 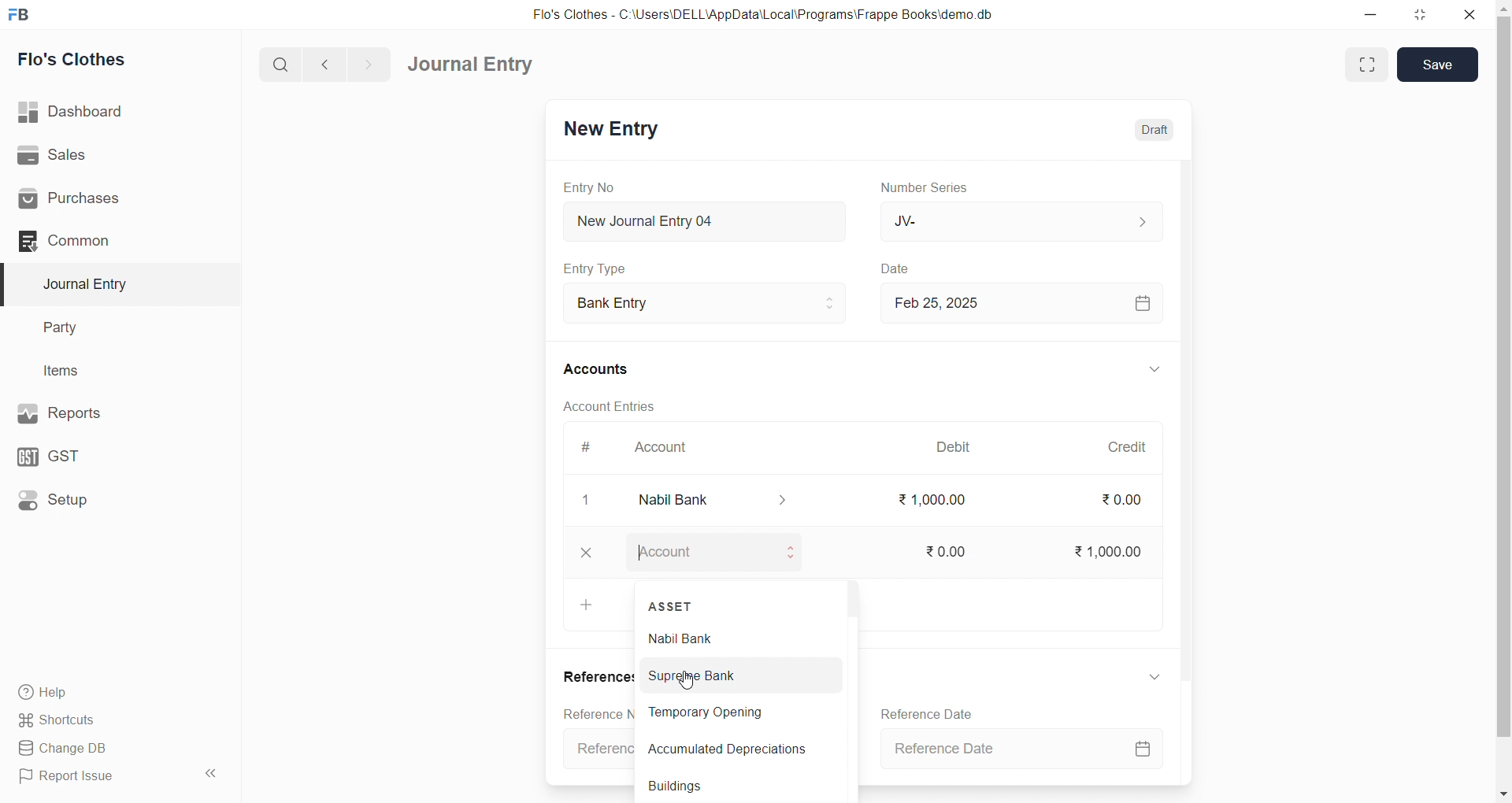 I want to click on Reference Date, so click(x=1021, y=749).